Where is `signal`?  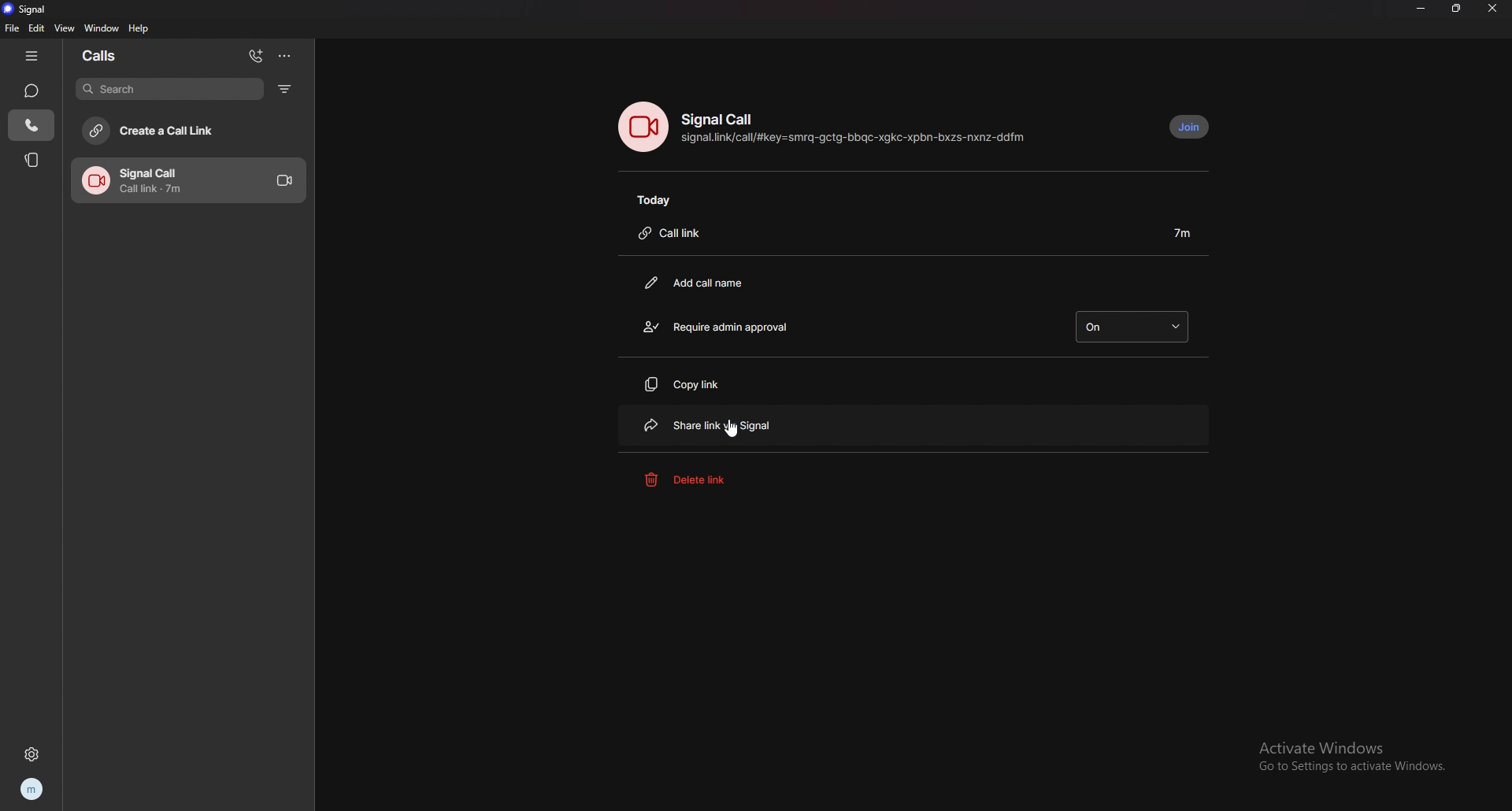 signal is located at coordinates (31, 9).